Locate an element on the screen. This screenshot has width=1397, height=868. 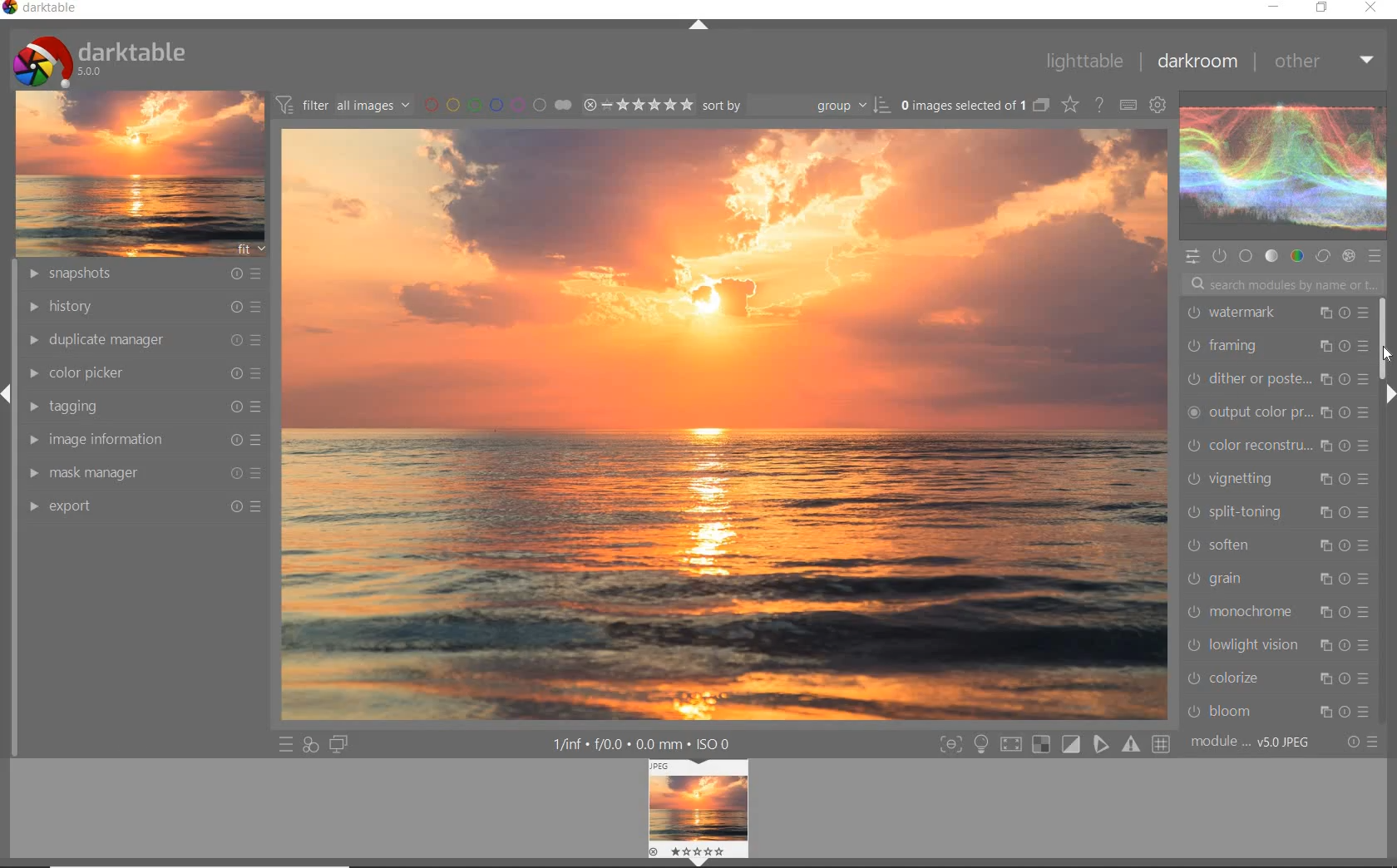
SNAPSHOTS is located at coordinates (143, 274).